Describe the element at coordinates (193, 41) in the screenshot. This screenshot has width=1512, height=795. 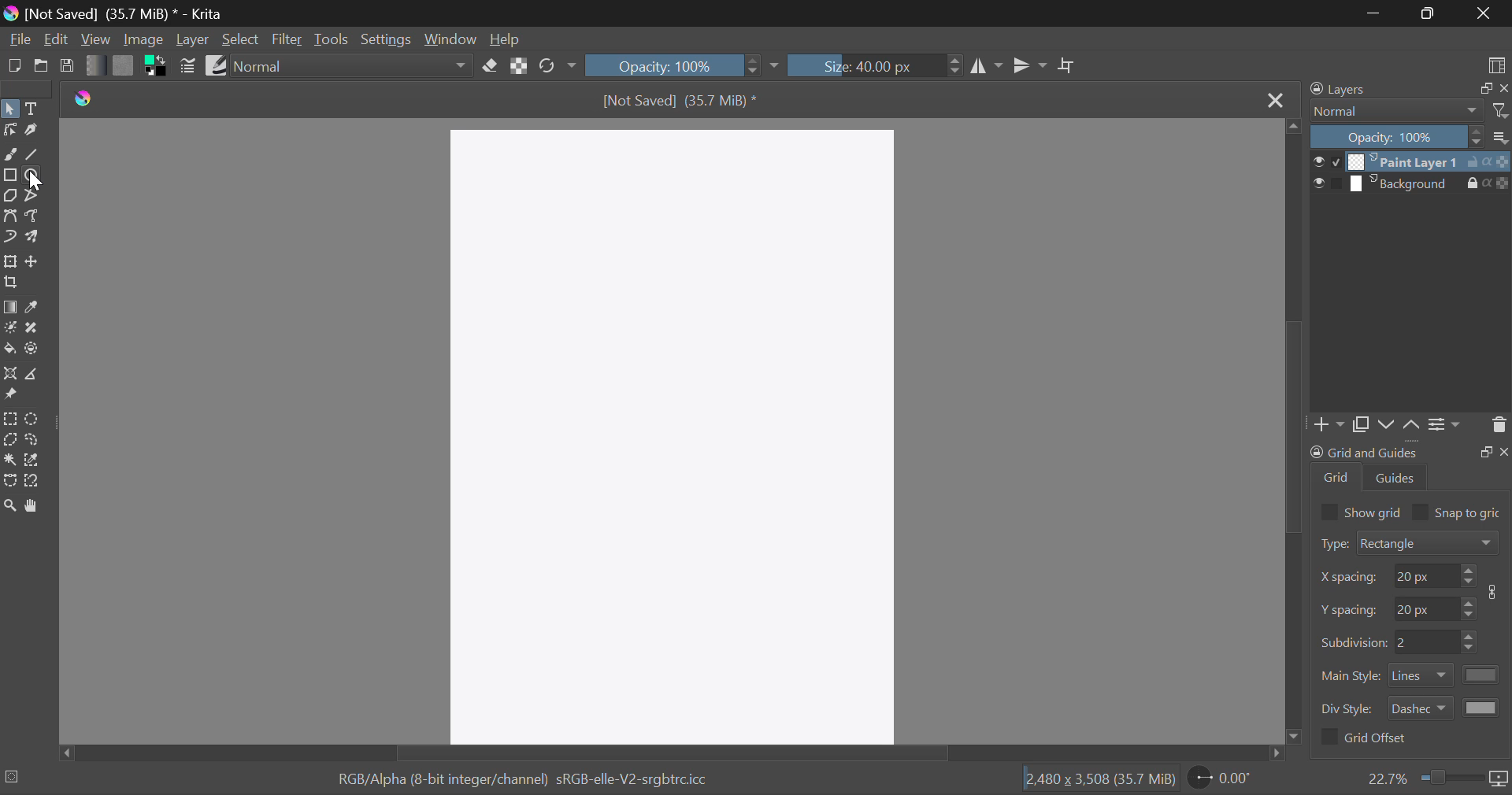
I see `Layer` at that location.